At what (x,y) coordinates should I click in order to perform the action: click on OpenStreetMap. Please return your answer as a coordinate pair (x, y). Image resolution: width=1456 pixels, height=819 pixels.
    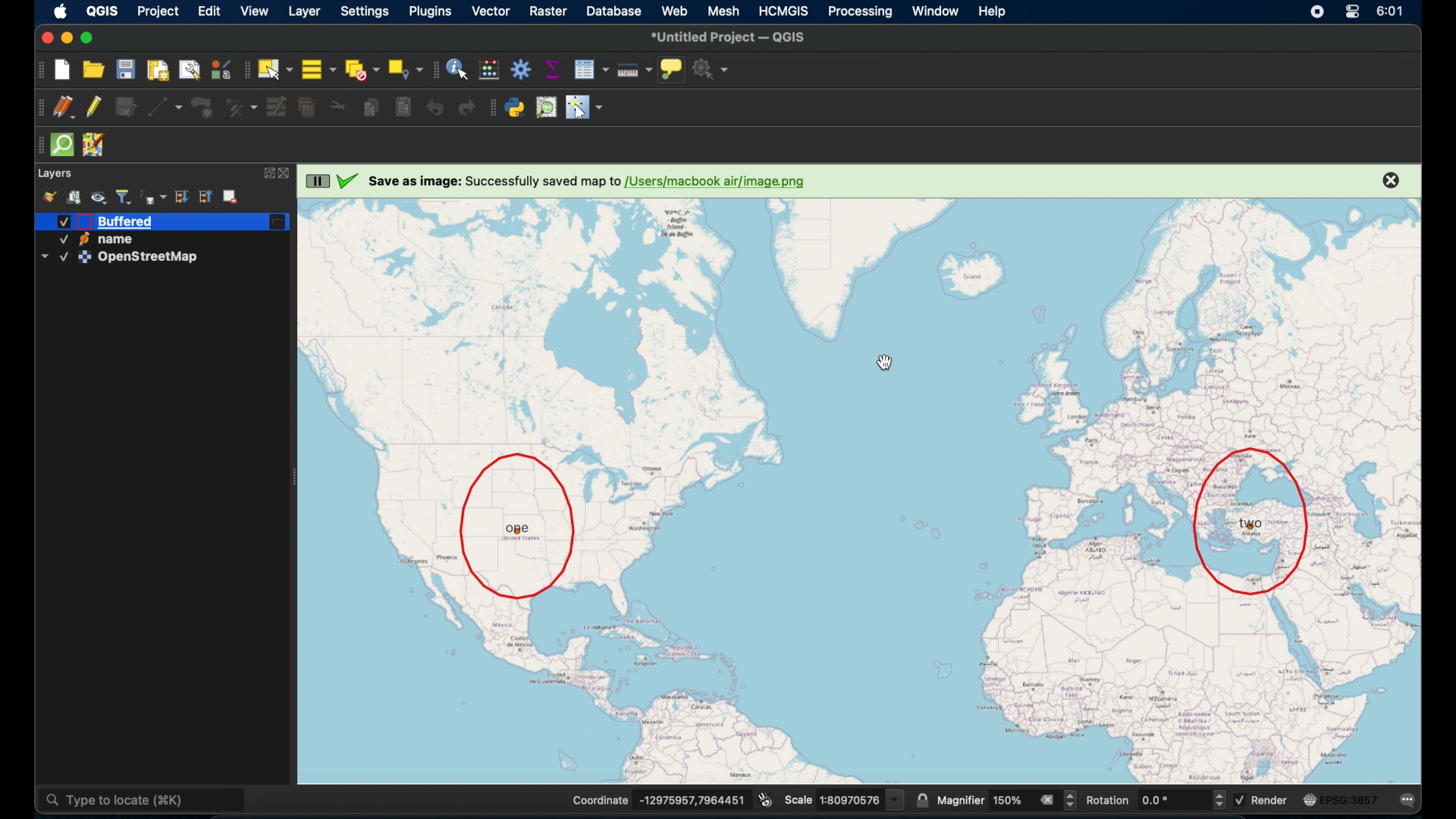
    Looking at the image, I should click on (152, 259).